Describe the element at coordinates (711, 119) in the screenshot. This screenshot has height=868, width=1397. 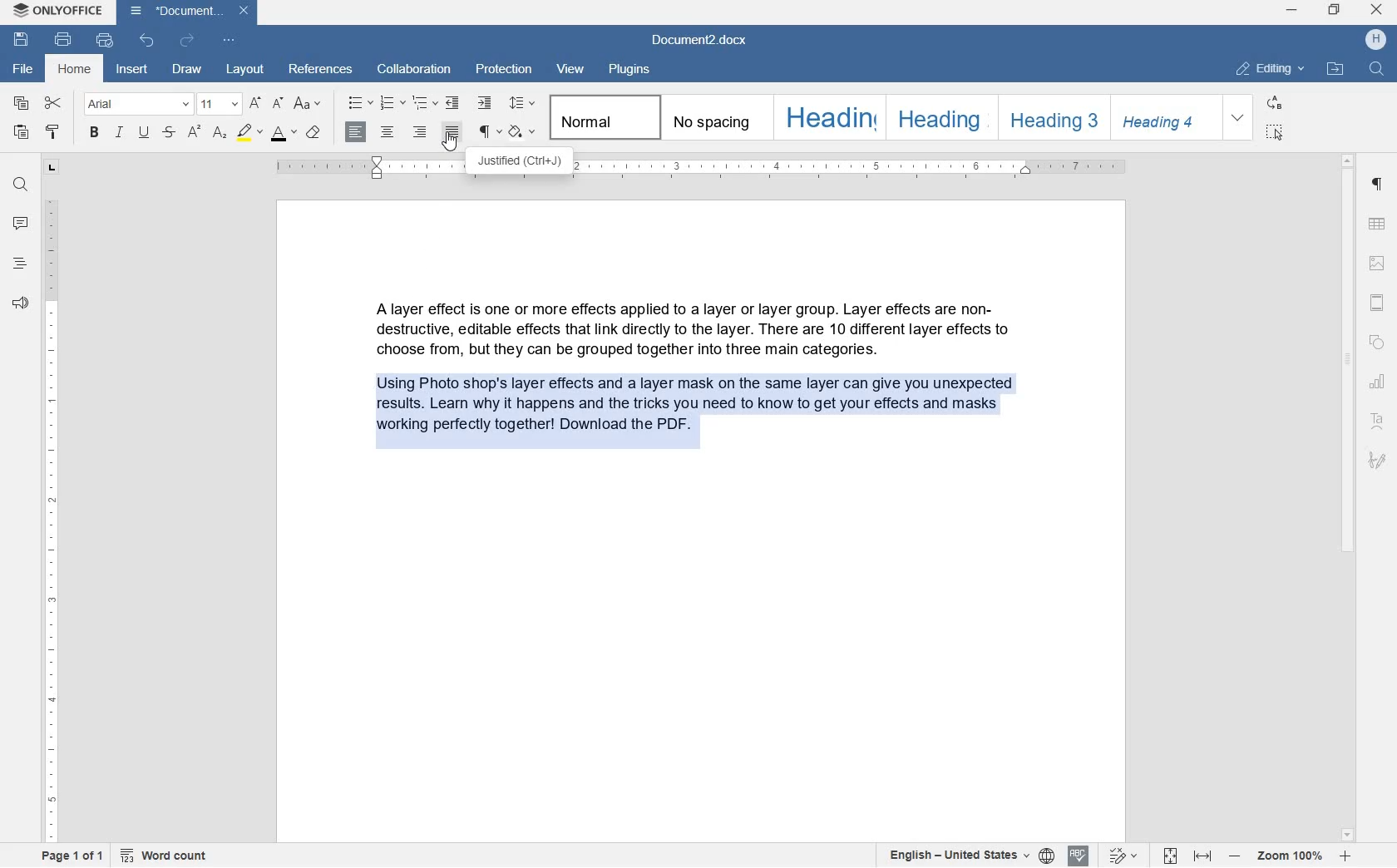
I see `NO SPACING` at that location.